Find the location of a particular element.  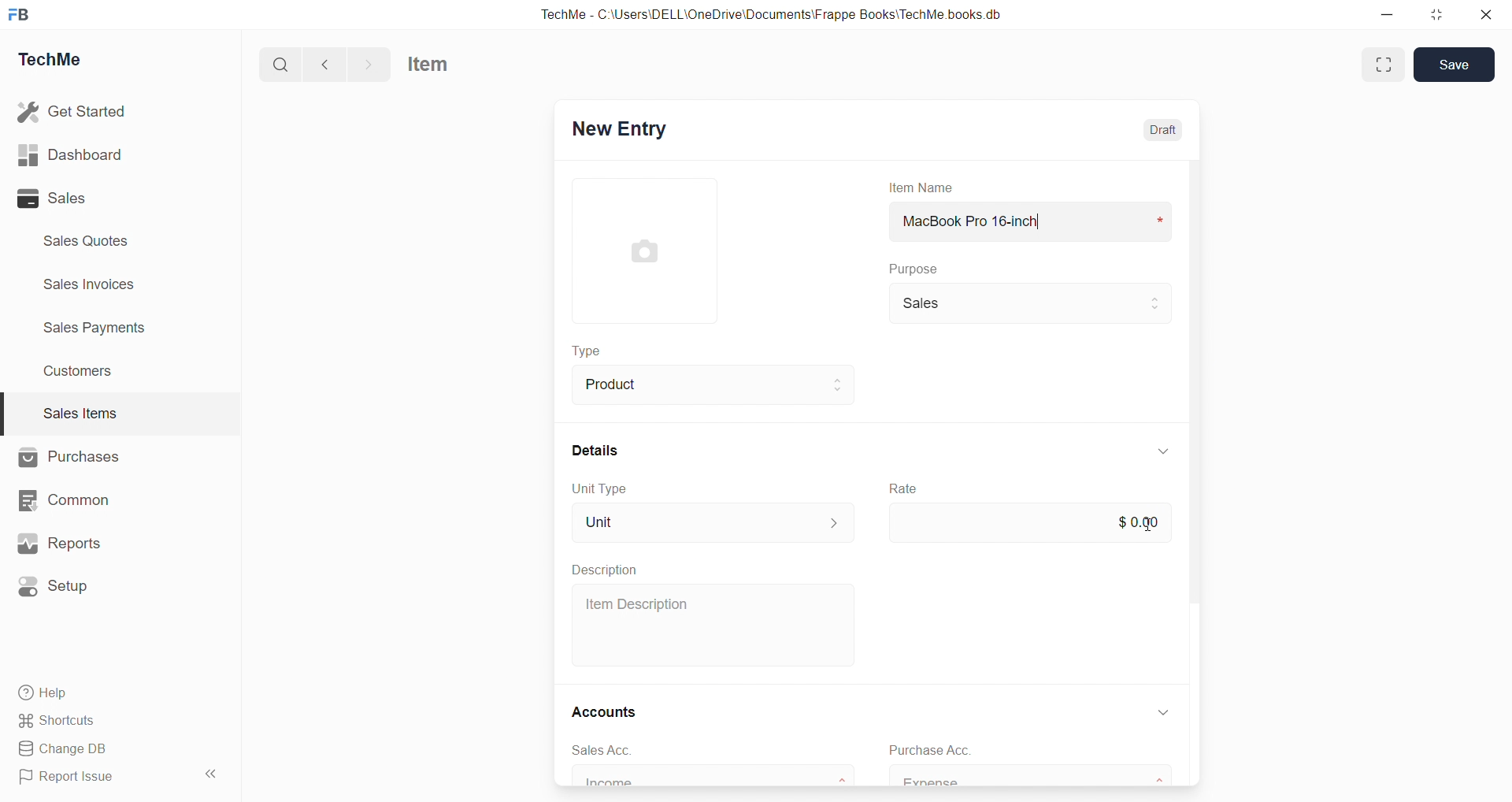

close is located at coordinates (1487, 14).